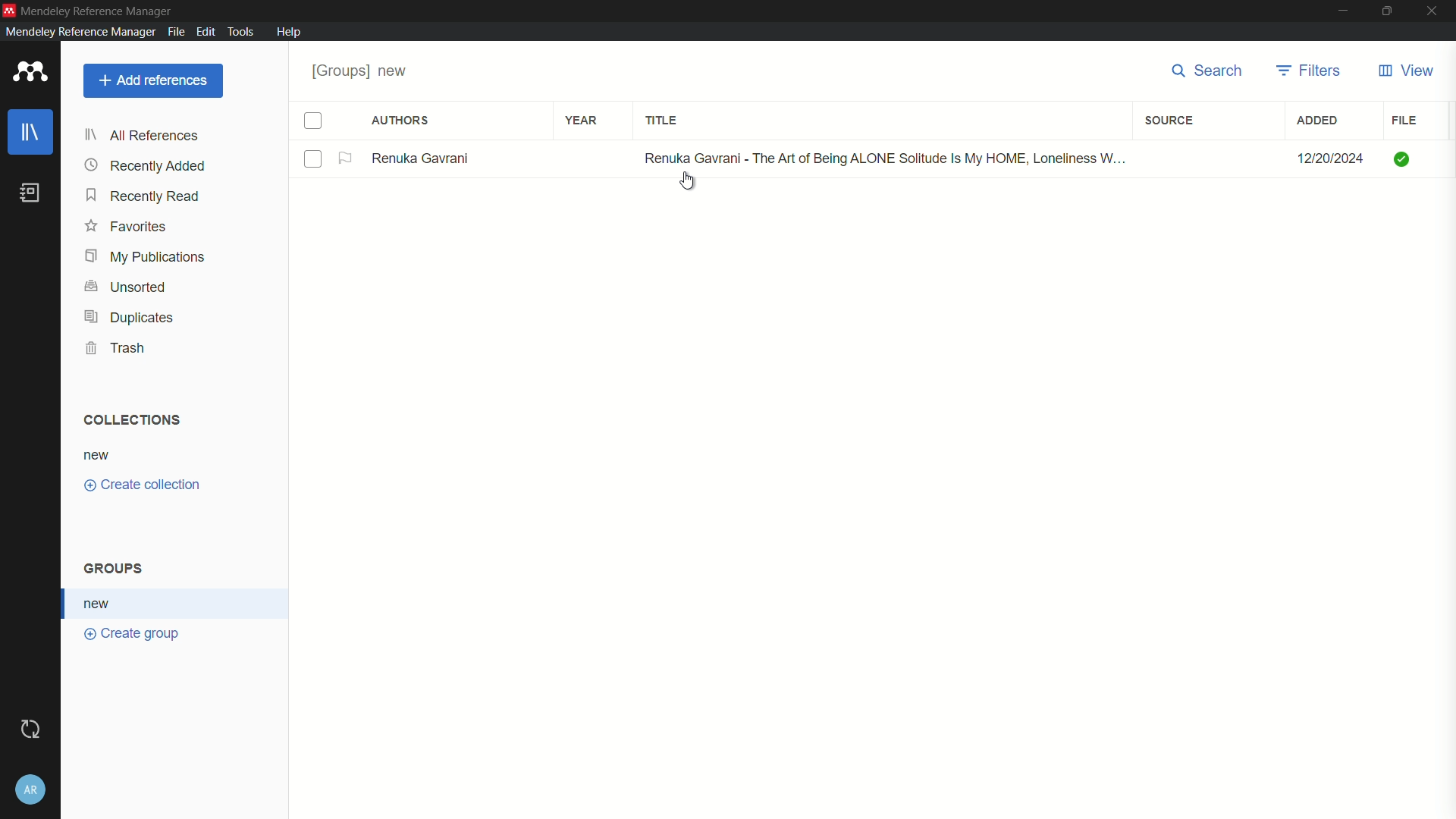 The image size is (1456, 819). What do you see at coordinates (693, 184) in the screenshot?
I see `cursor` at bounding box center [693, 184].